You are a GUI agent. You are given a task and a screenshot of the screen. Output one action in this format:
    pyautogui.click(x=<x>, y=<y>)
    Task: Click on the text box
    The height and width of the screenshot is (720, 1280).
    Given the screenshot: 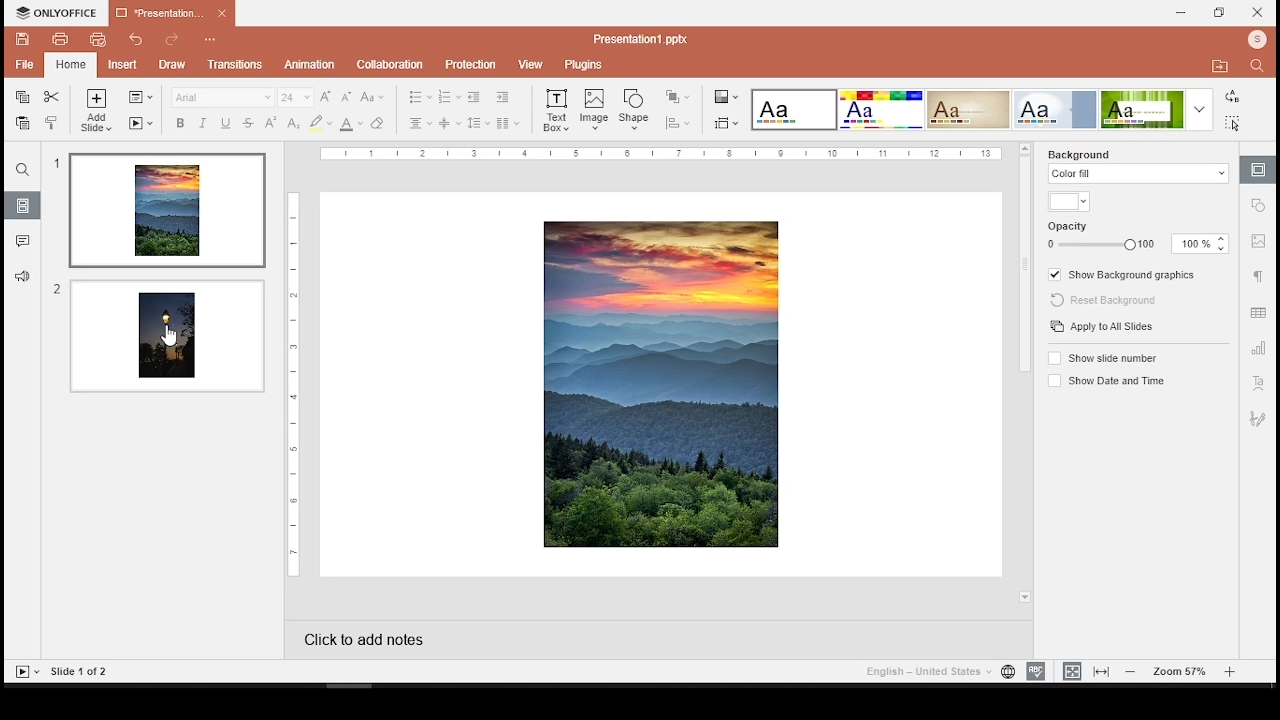 What is the action you would take?
    pyautogui.click(x=556, y=112)
    